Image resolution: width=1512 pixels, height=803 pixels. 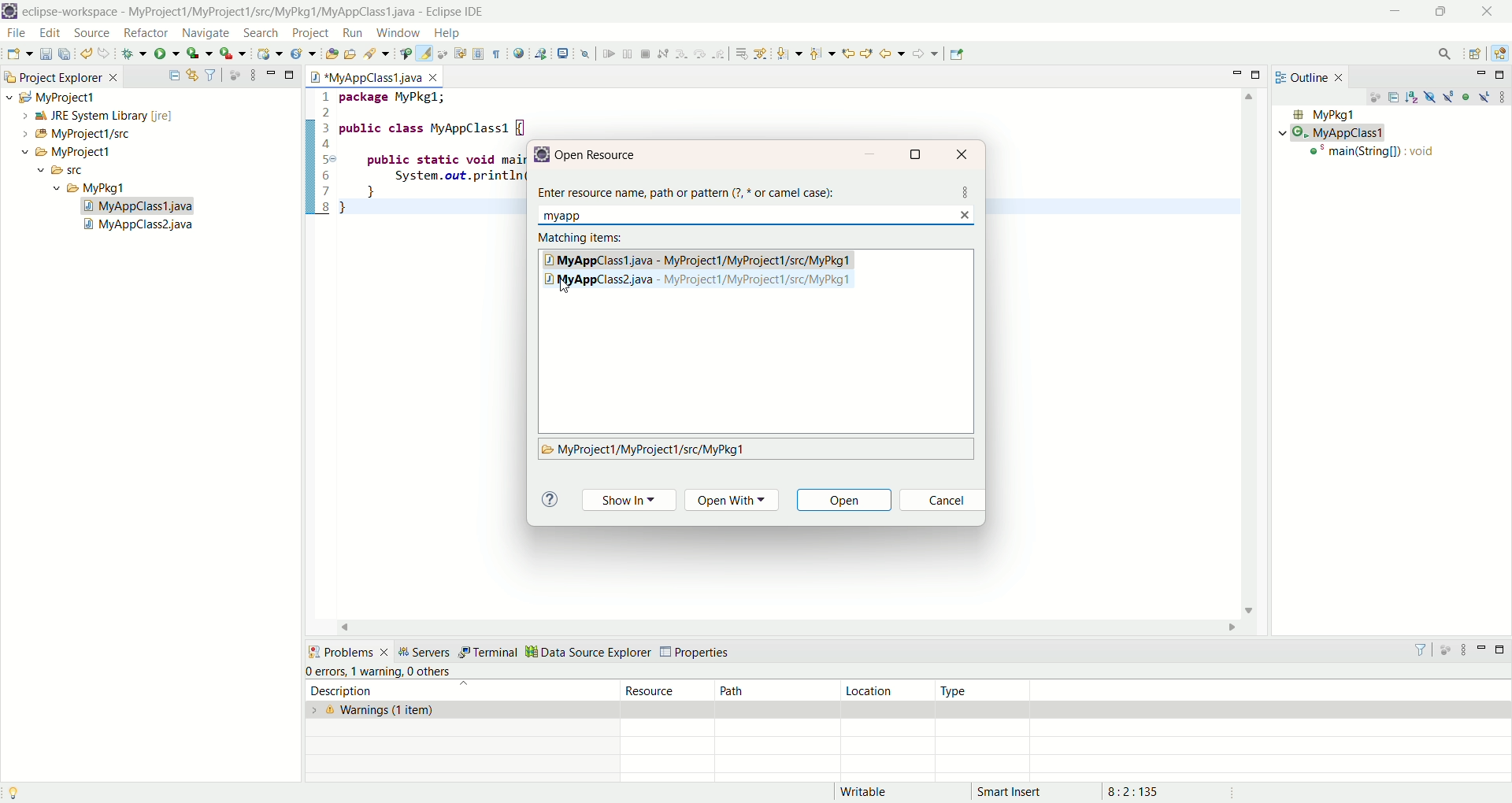 I want to click on skip the breakpoints, so click(x=586, y=55).